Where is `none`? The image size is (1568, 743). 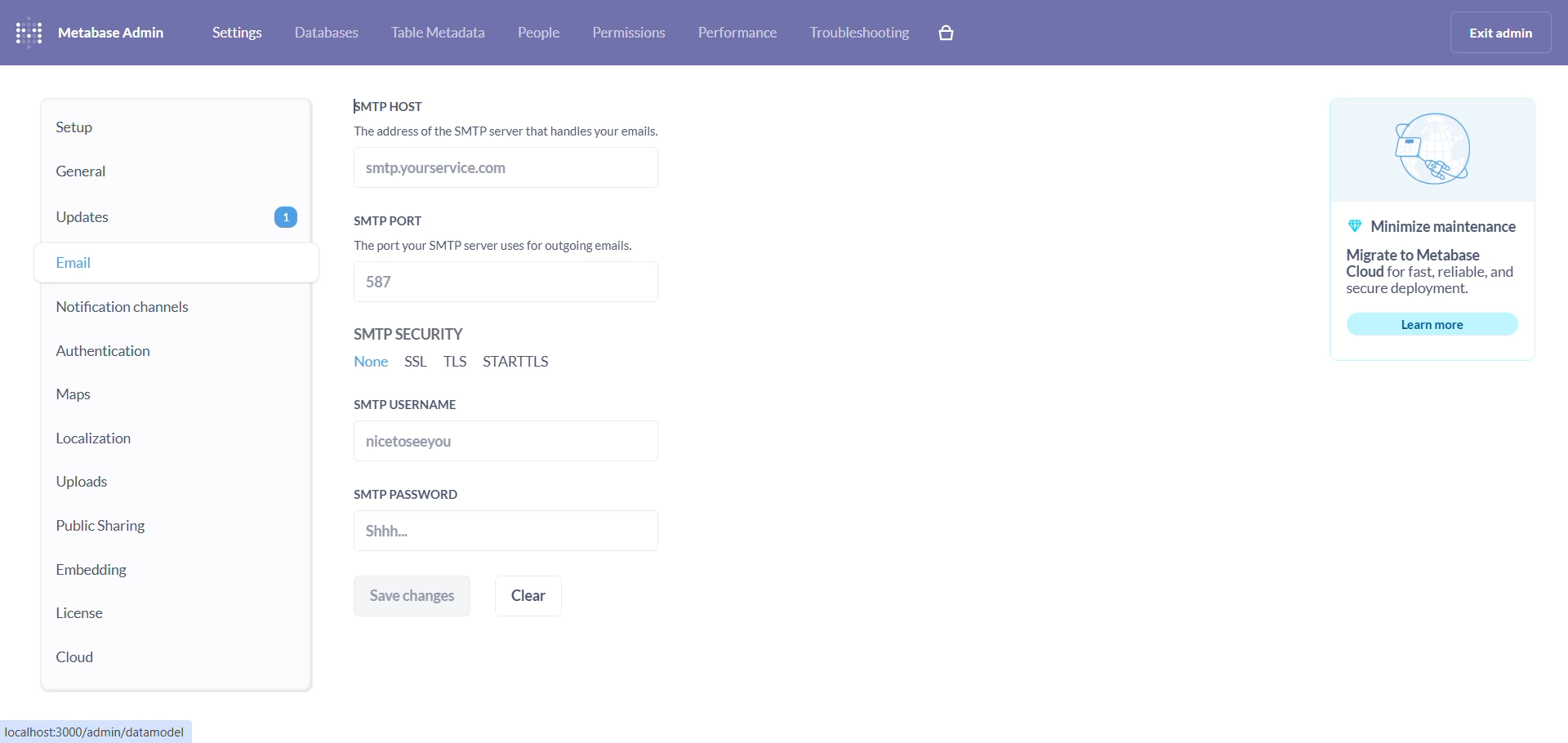
none is located at coordinates (369, 366).